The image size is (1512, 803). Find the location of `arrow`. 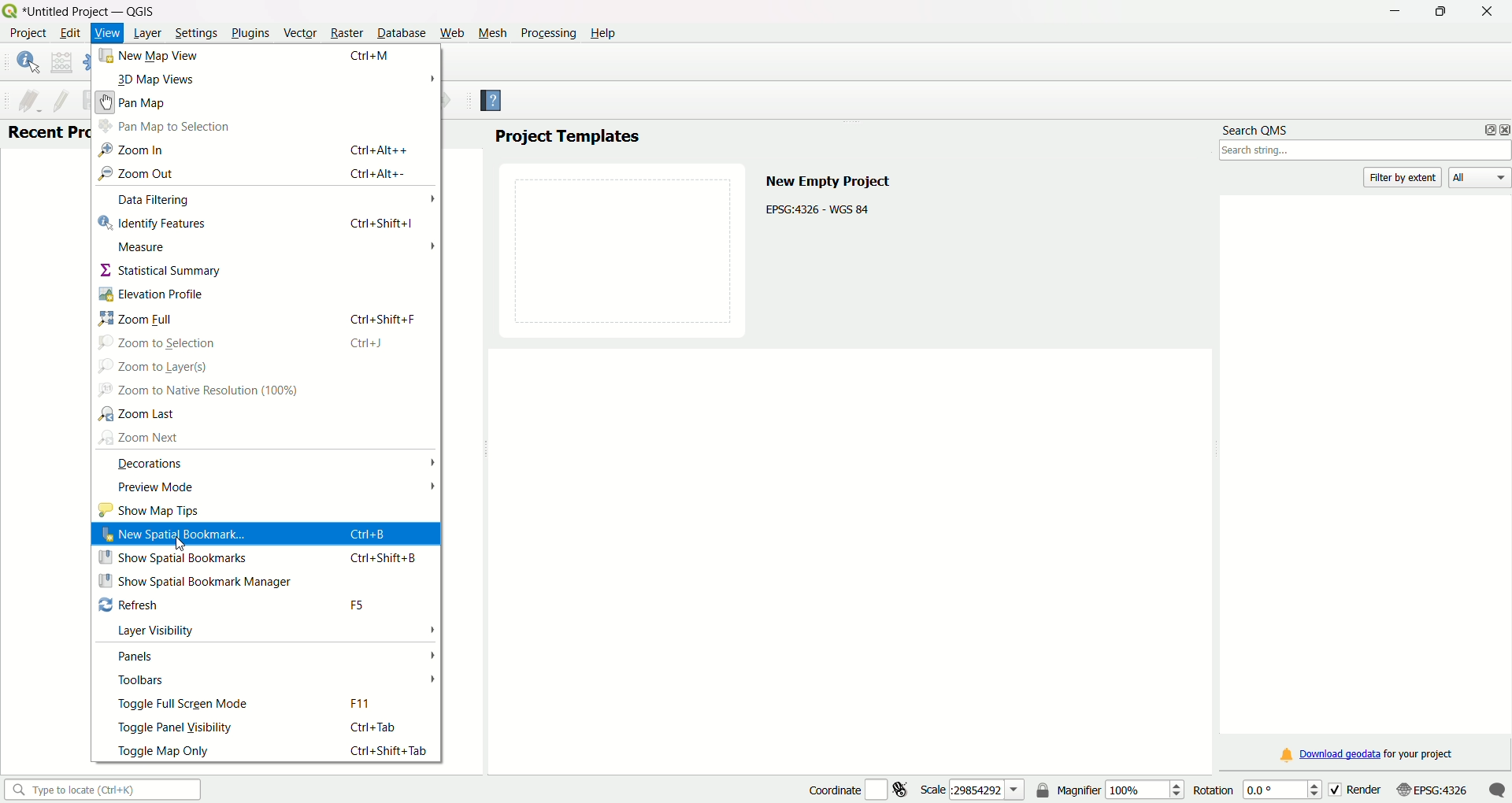

arrow is located at coordinates (430, 77).